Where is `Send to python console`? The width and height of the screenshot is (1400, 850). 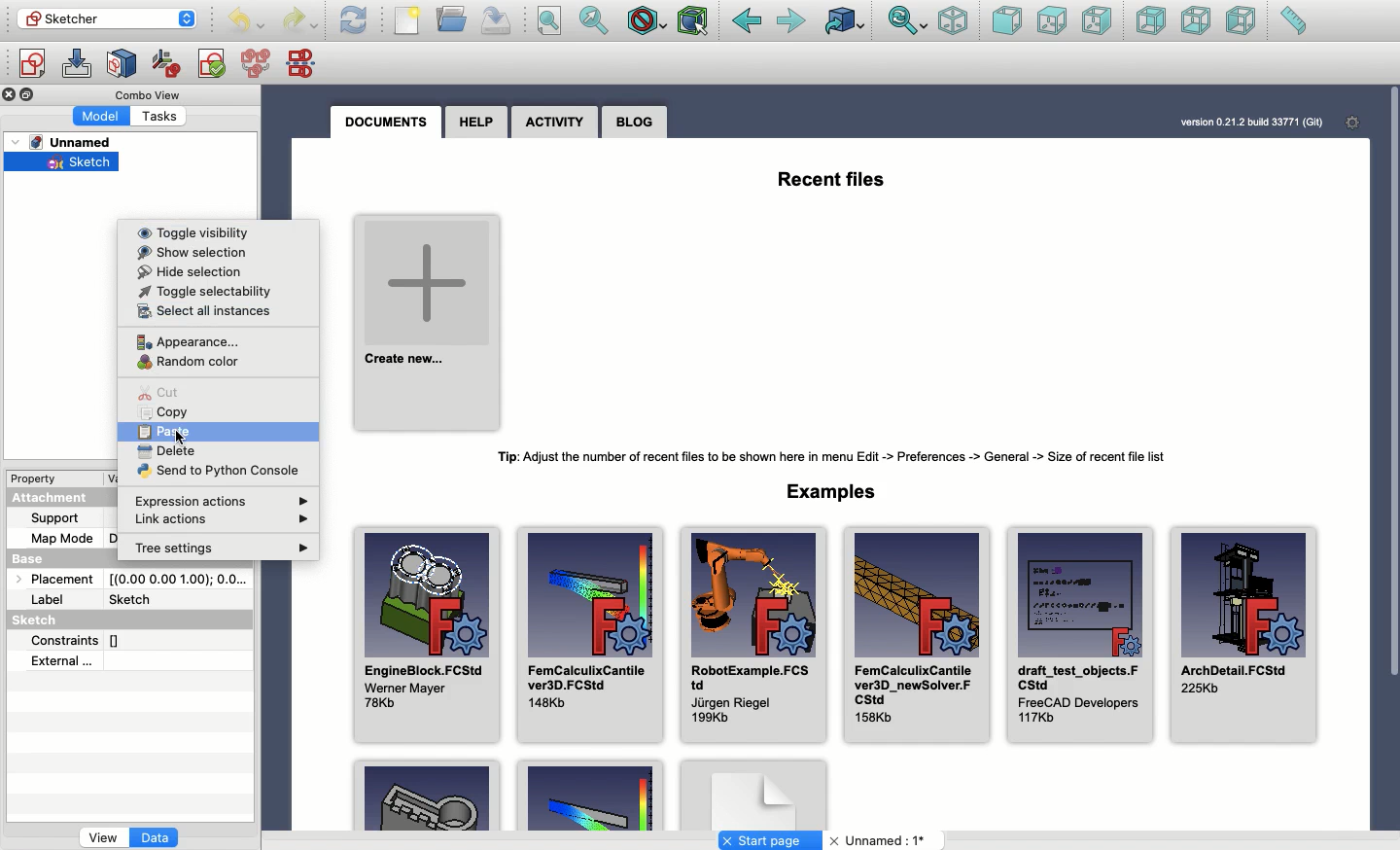 Send to python console is located at coordinates (214, 470).